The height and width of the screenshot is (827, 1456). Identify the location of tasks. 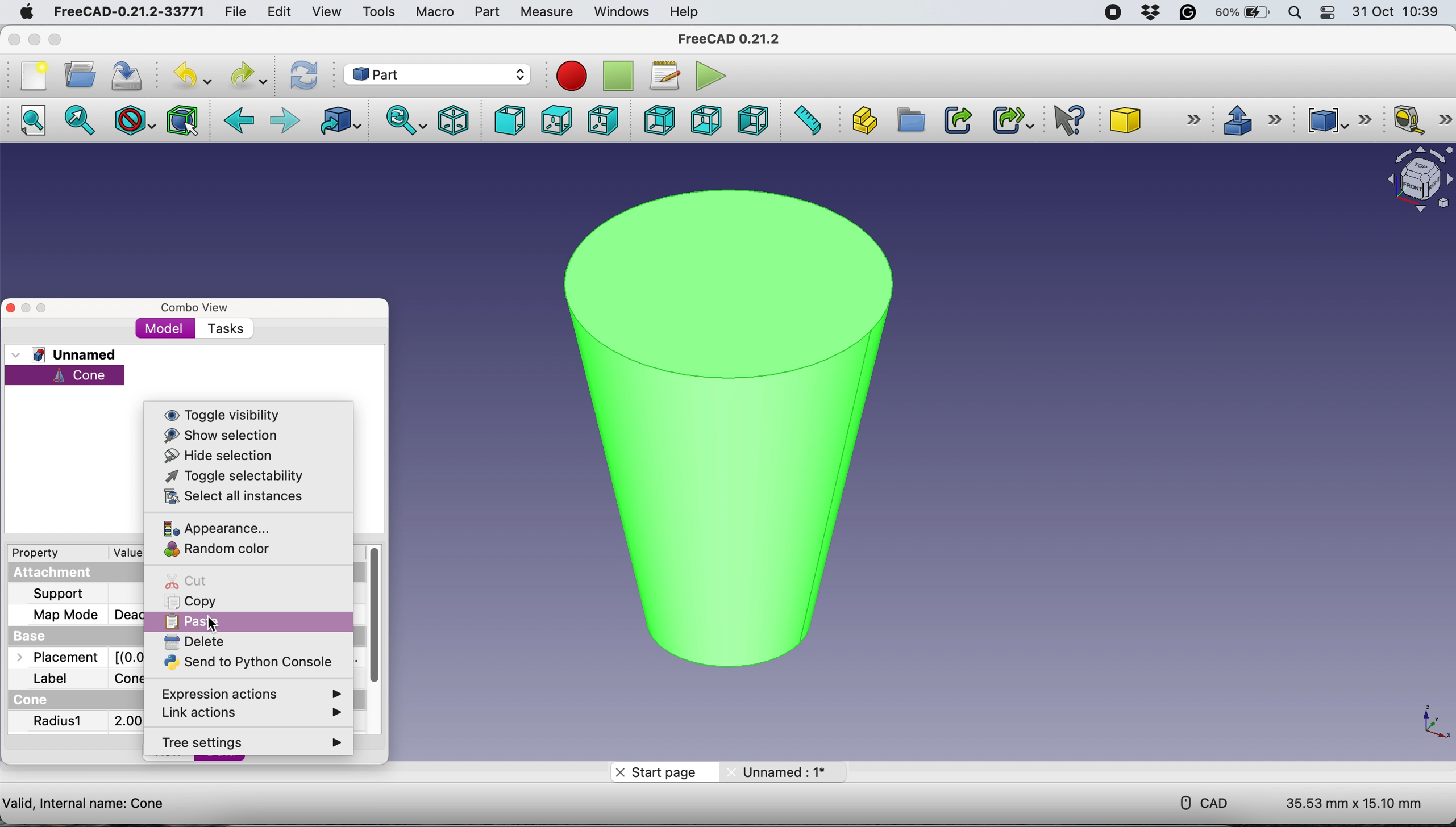
(225, 329).